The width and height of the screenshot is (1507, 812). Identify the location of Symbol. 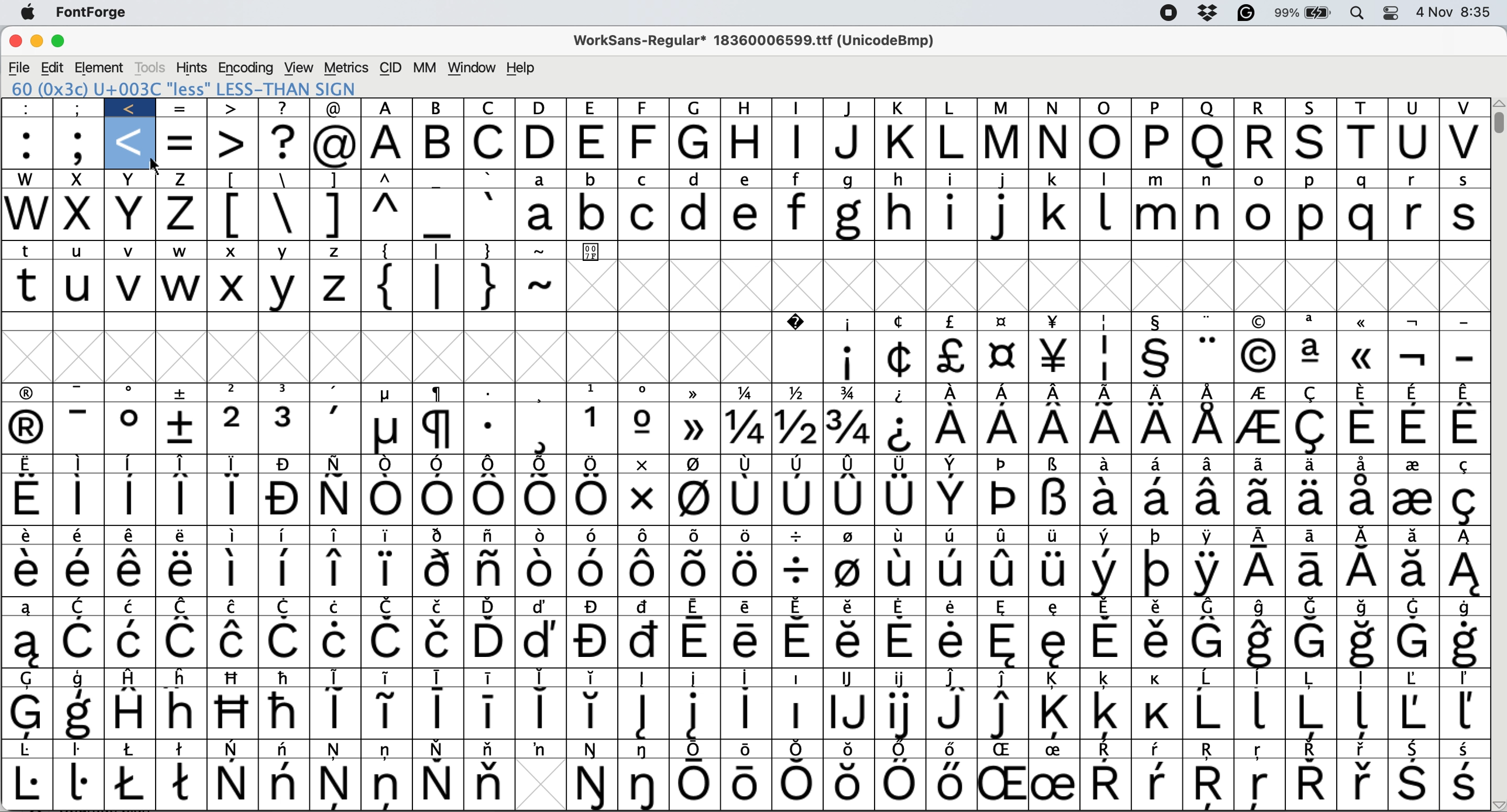
(1054, 783).